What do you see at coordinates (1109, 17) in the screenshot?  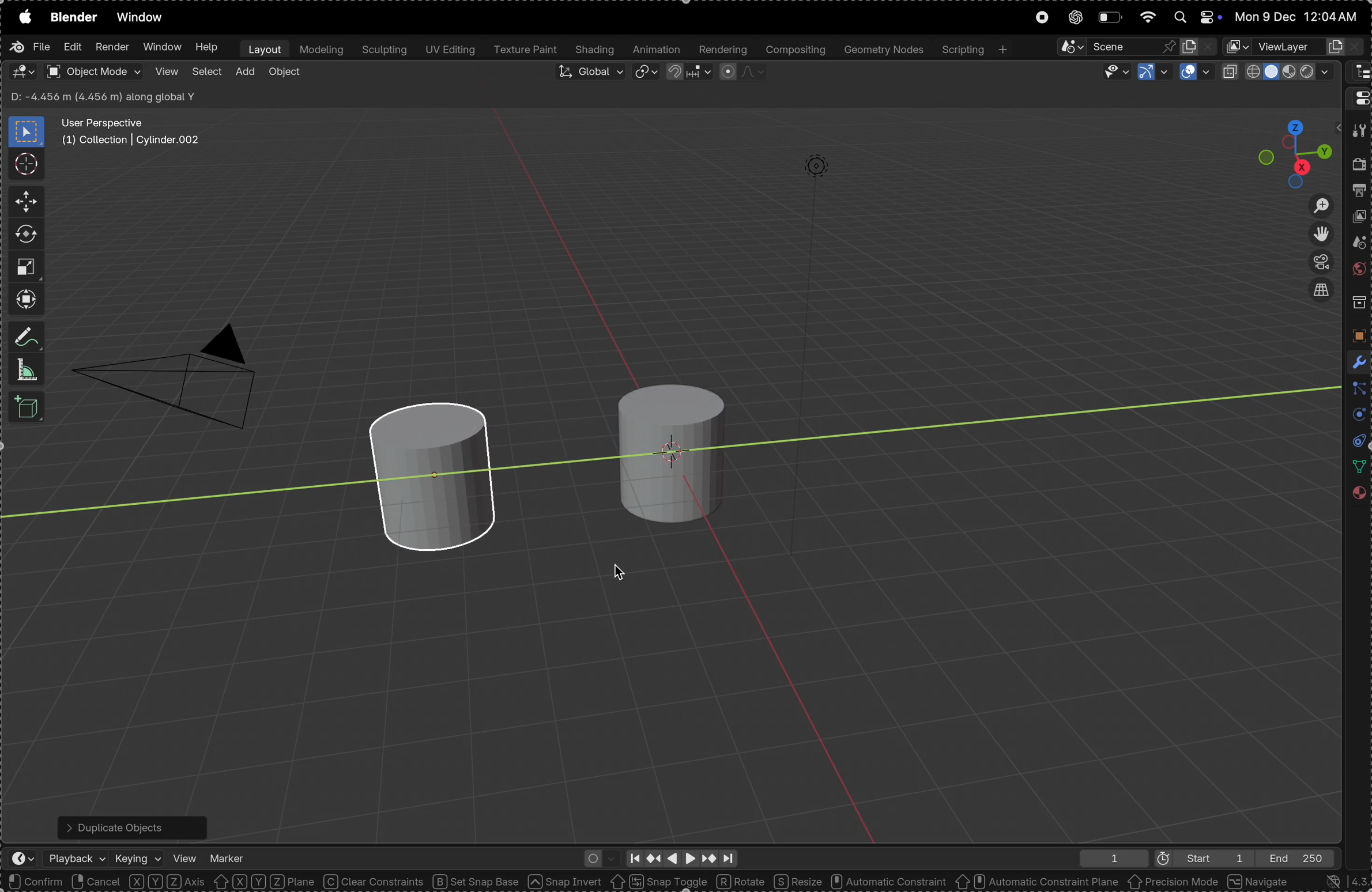 I see `battery` at bounding box center [1109, 17].